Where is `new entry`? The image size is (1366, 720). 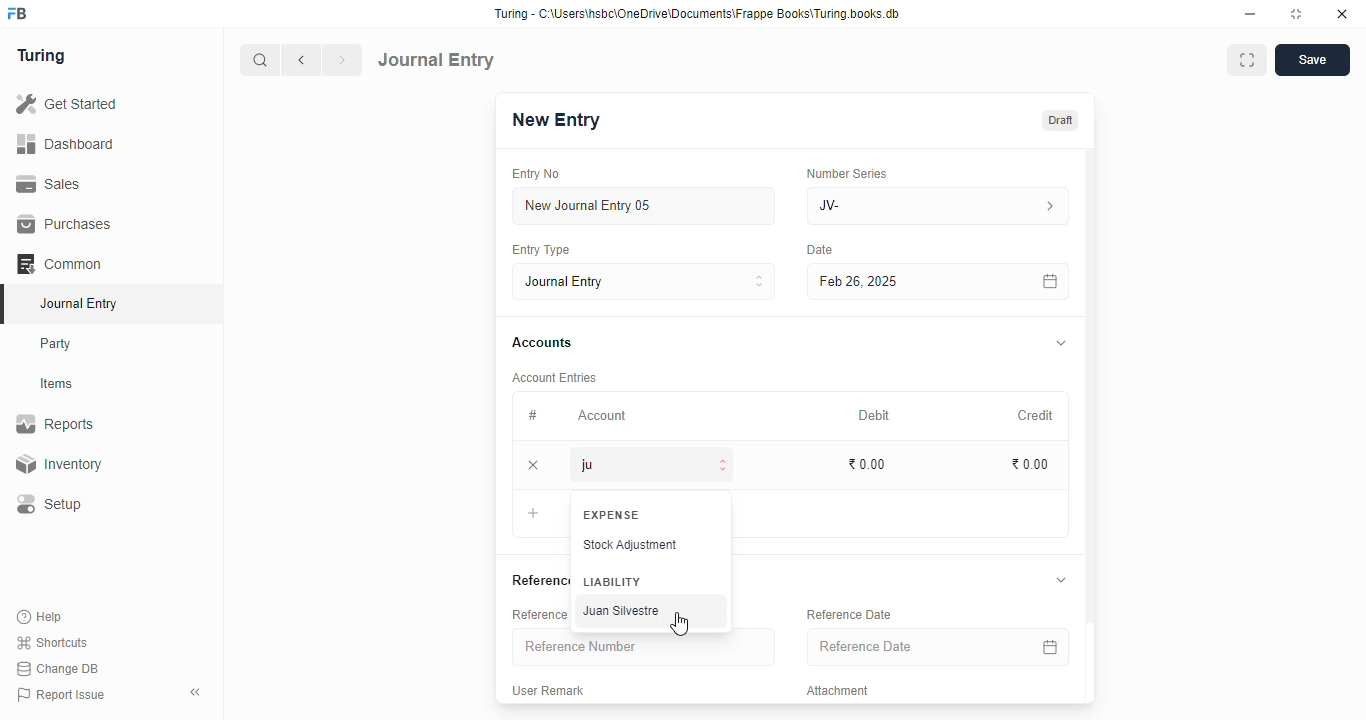
new entry is located at coordinates (555, 120).